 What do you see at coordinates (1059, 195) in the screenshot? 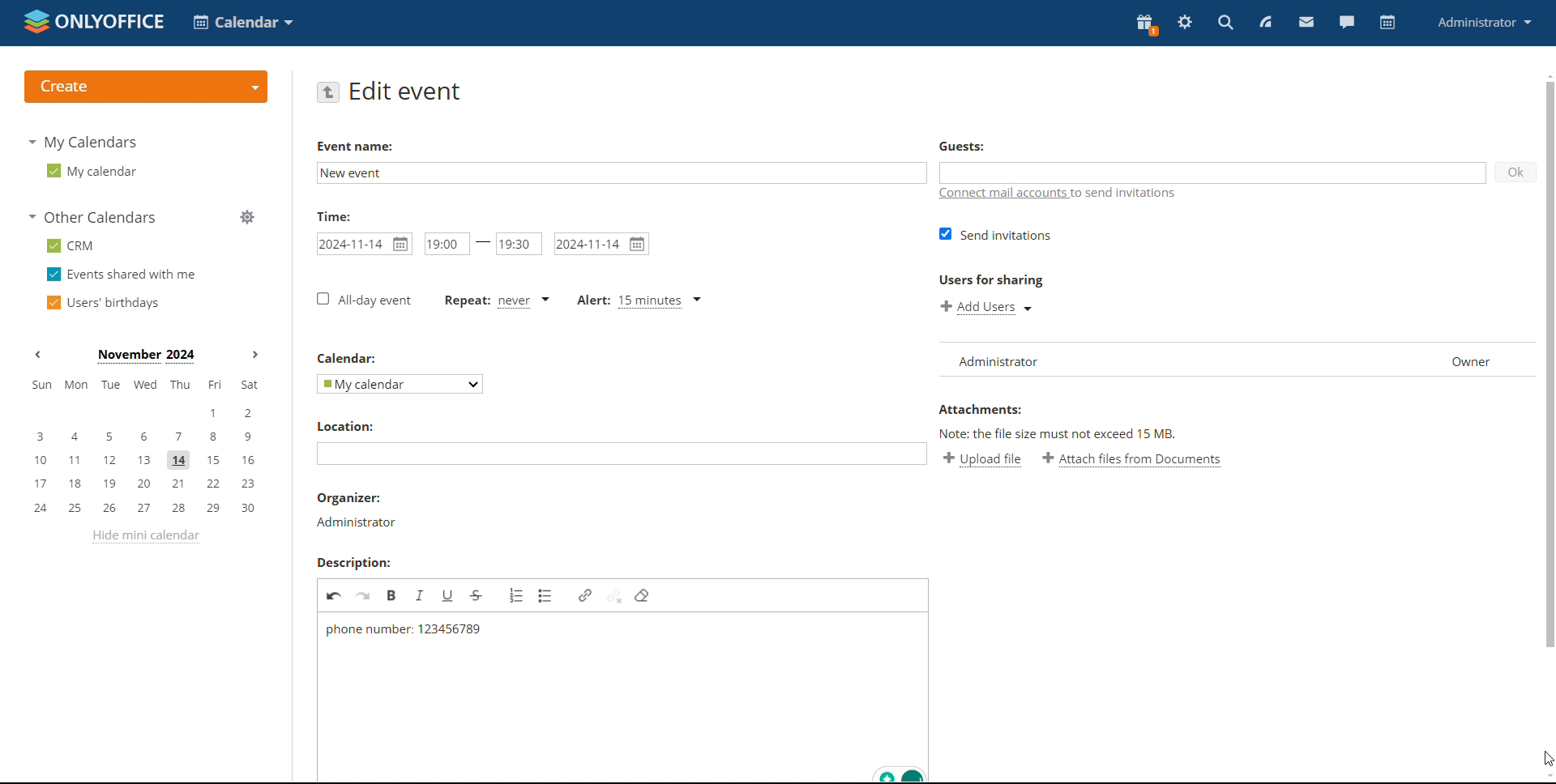
I see `connect mail accounts` at bounding box center [1059, 195].